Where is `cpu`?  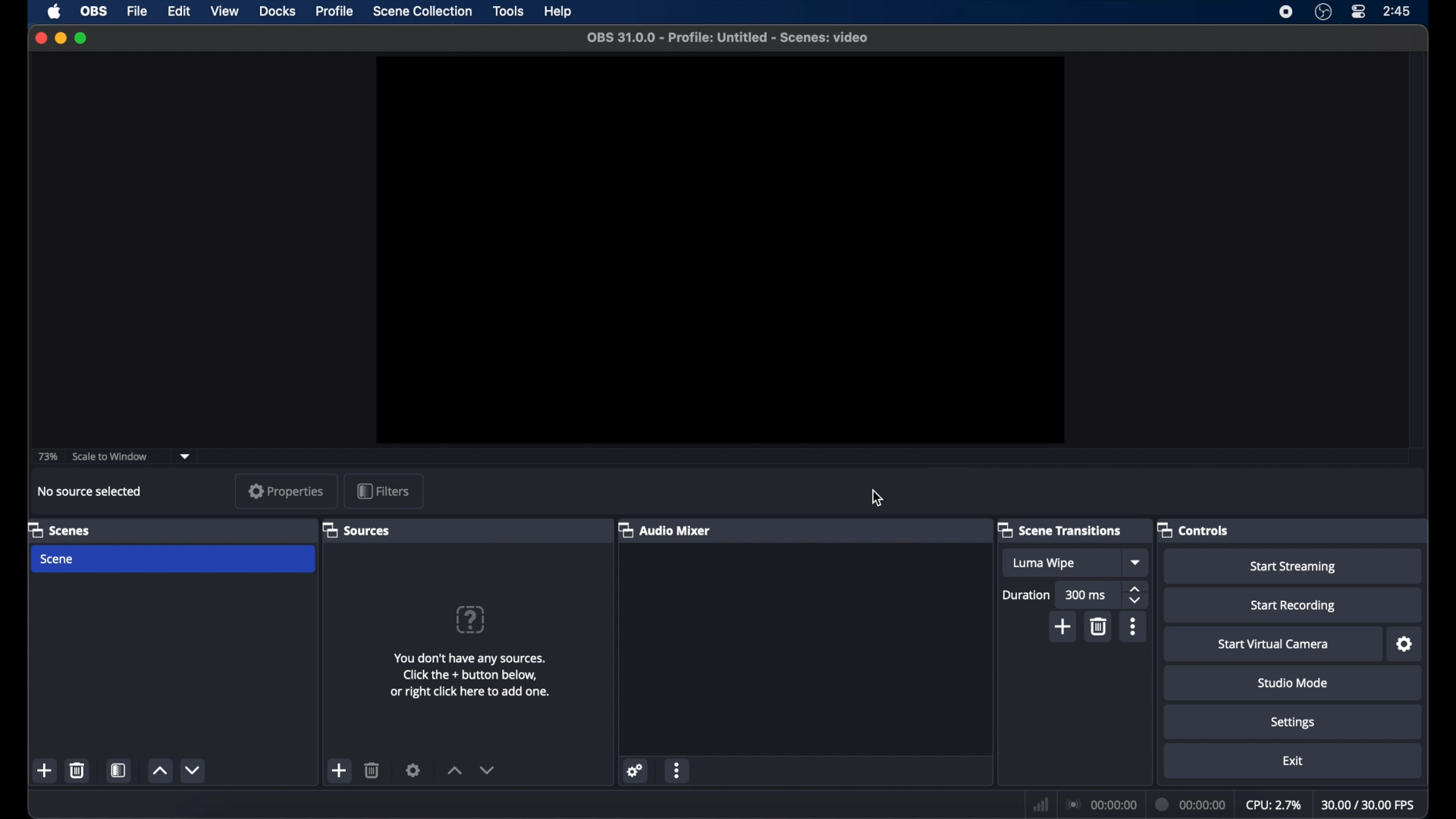
cpu is located at coordinates (1272, 804).